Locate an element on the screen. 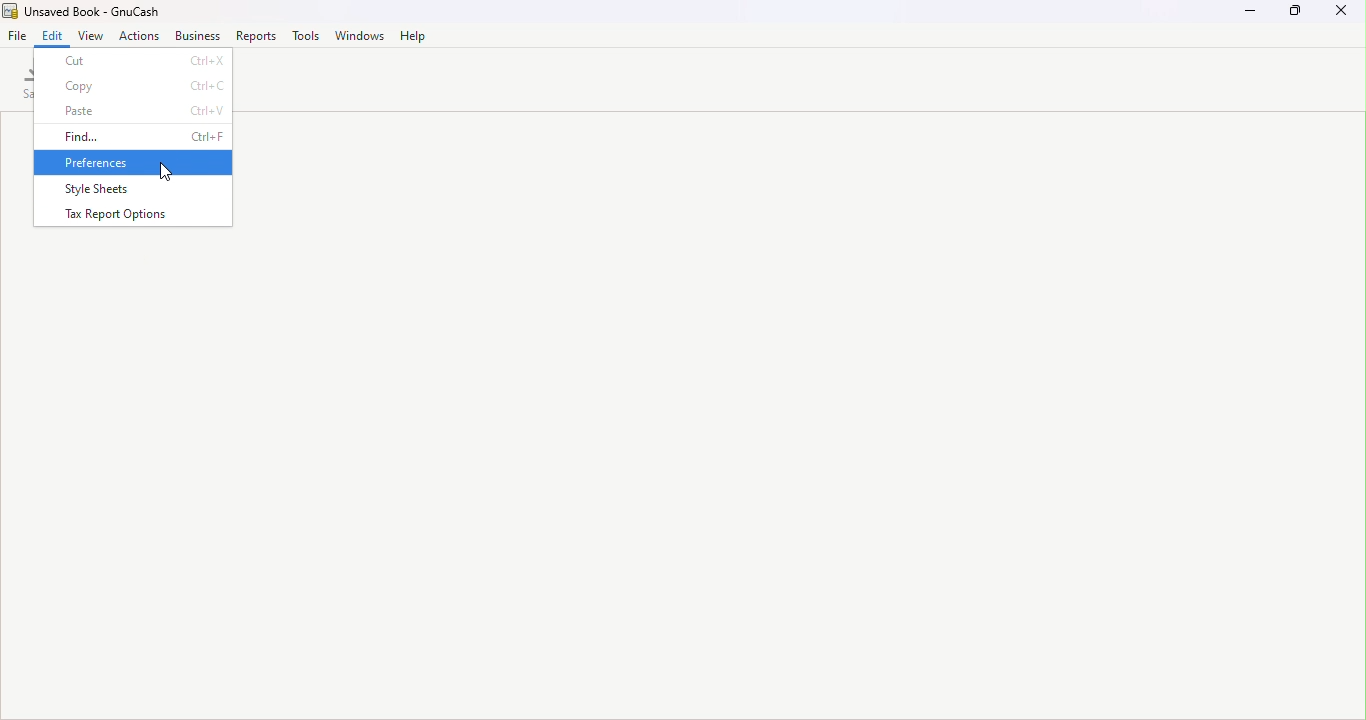 The image size is (1366, 720). Preferences is located at coordinates (136, 163).